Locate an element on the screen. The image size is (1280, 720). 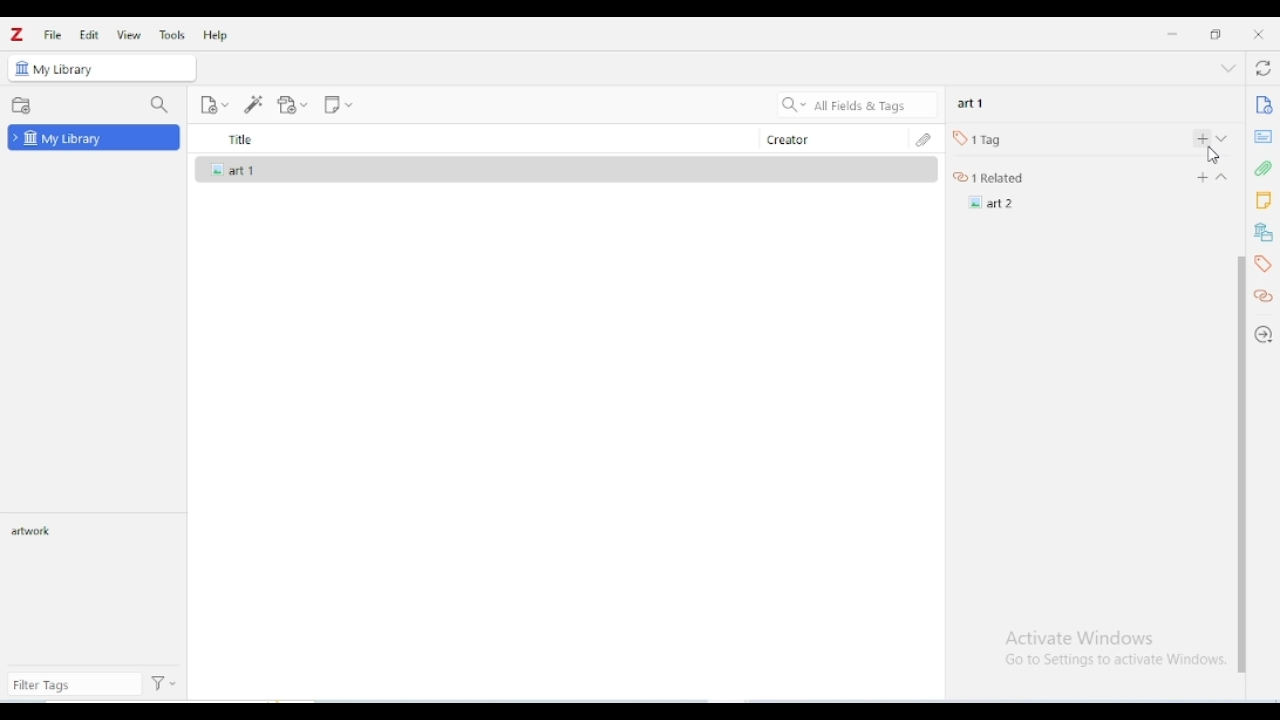
libraries and collections is located at coordinates (1264, 233).